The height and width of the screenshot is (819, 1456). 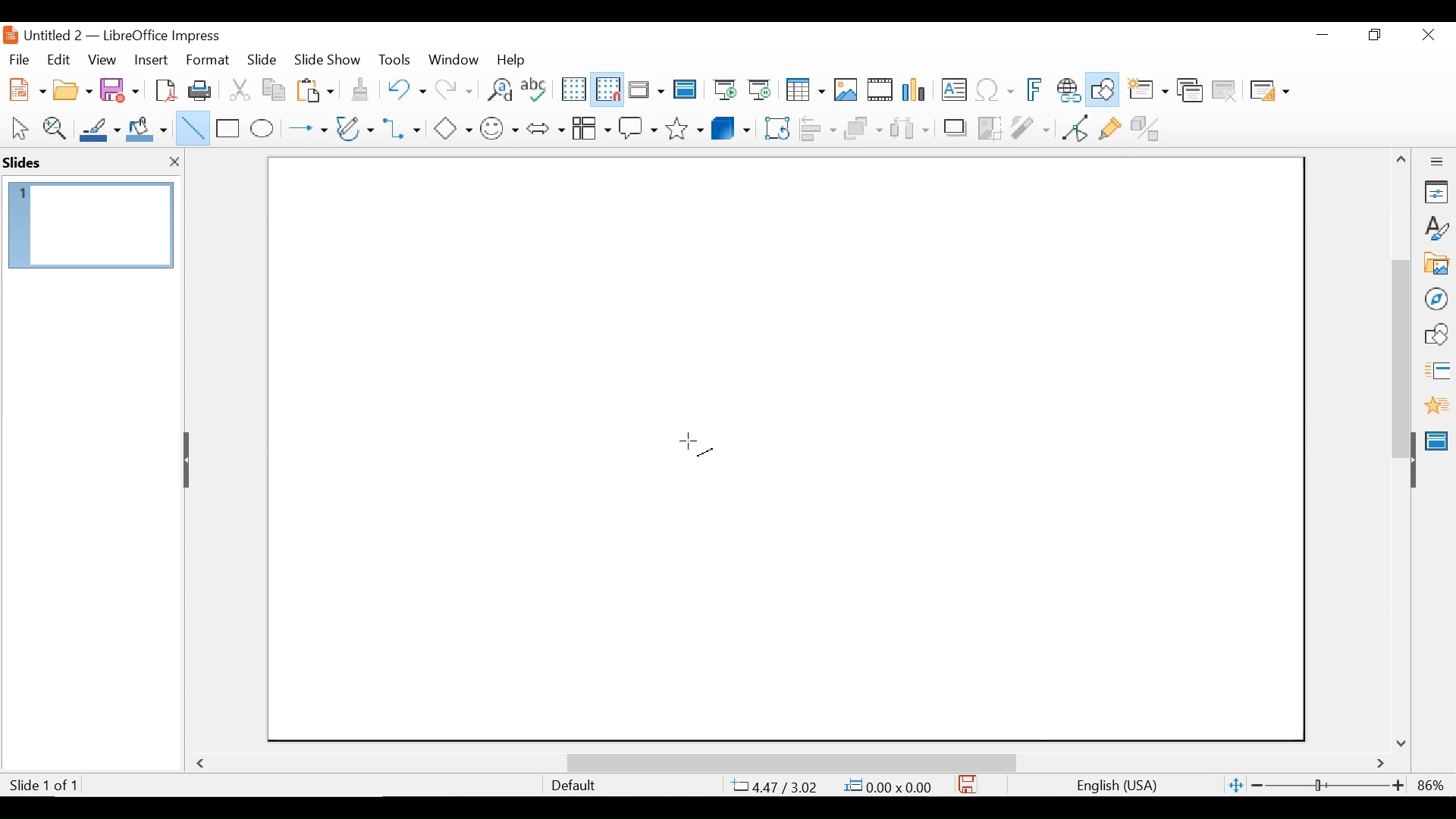 What do you see at coordinates (573, 89) in the screenshot?
I see `Display Grid` at bounding box center [573, 89].